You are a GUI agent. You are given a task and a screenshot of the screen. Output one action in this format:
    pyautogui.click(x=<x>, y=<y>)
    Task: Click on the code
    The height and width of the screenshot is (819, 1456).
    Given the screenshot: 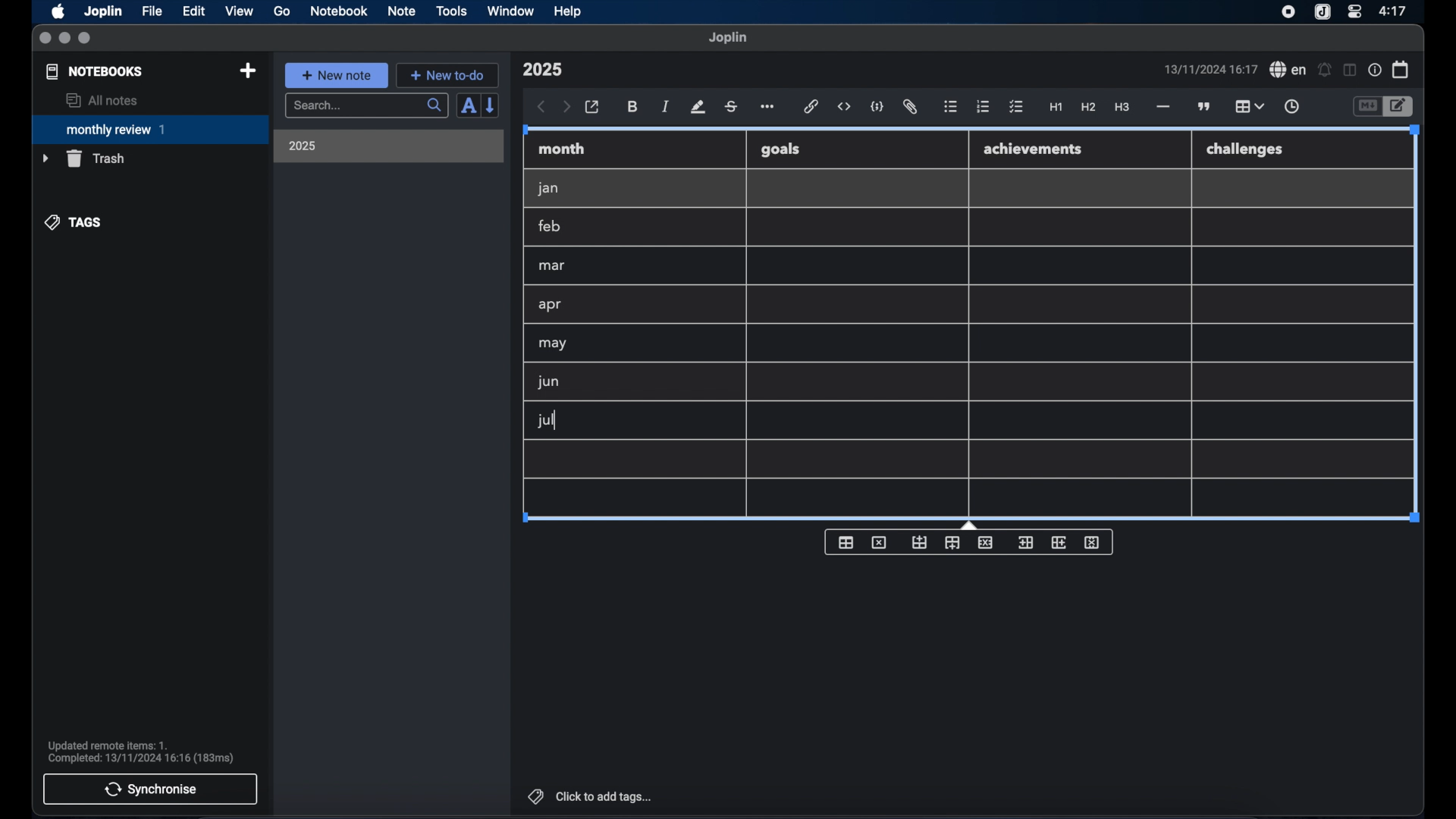 What is the action you would take?
    pyautogui.click(x=877, y=108)
    